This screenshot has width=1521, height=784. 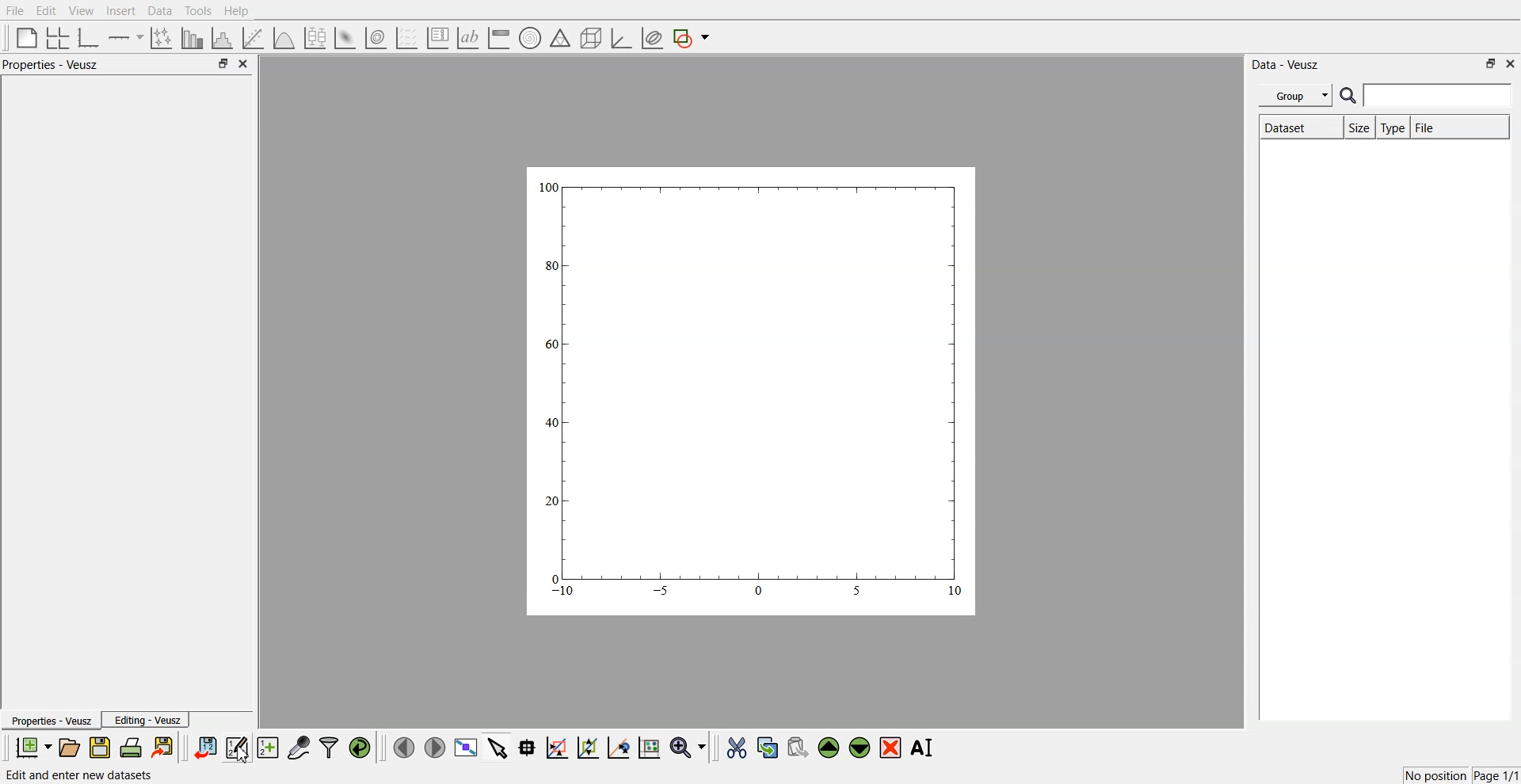 I want to click on copy the selected widgets, so click(x=768, y=747).